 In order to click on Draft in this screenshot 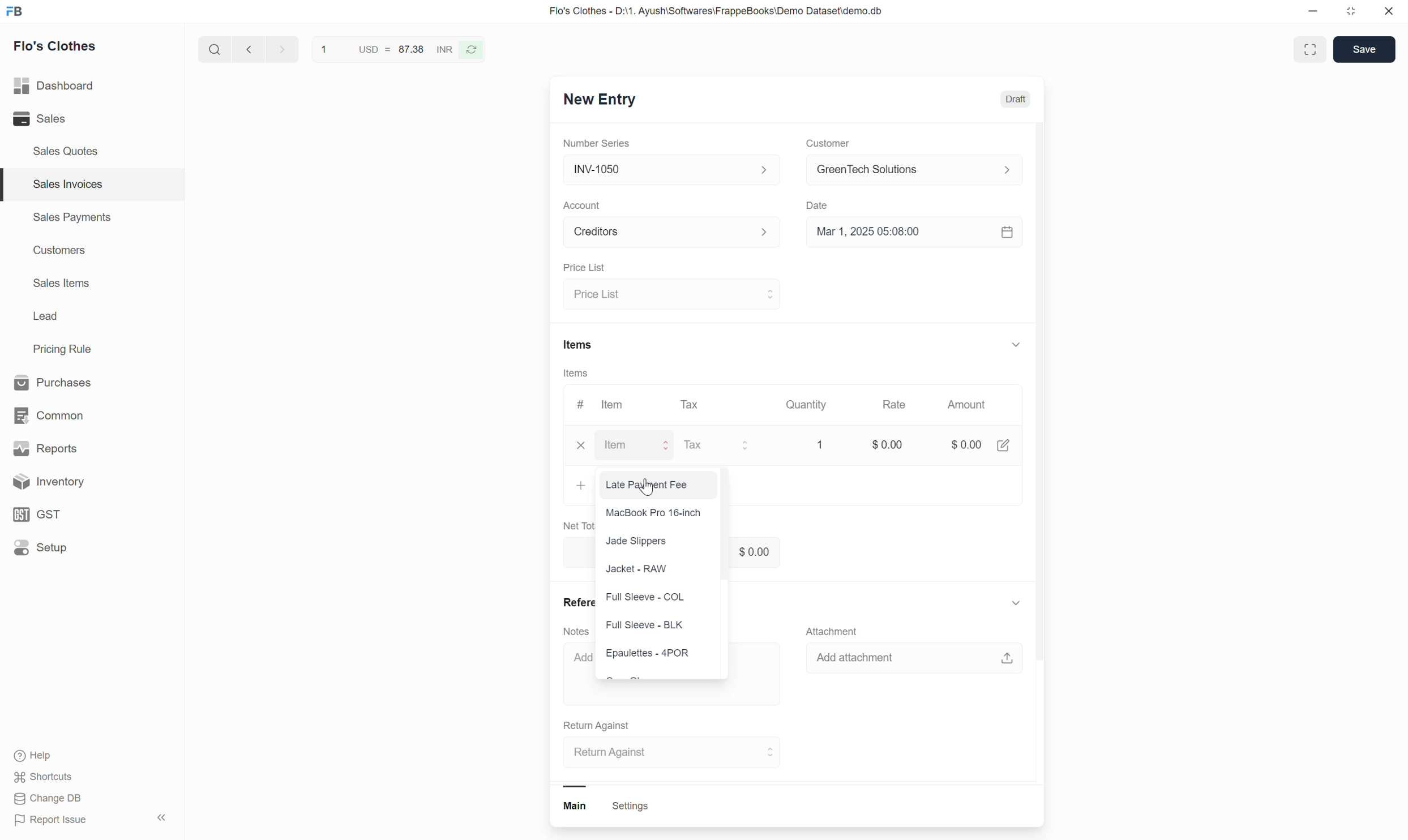, I will do `click(1015, 100)`.